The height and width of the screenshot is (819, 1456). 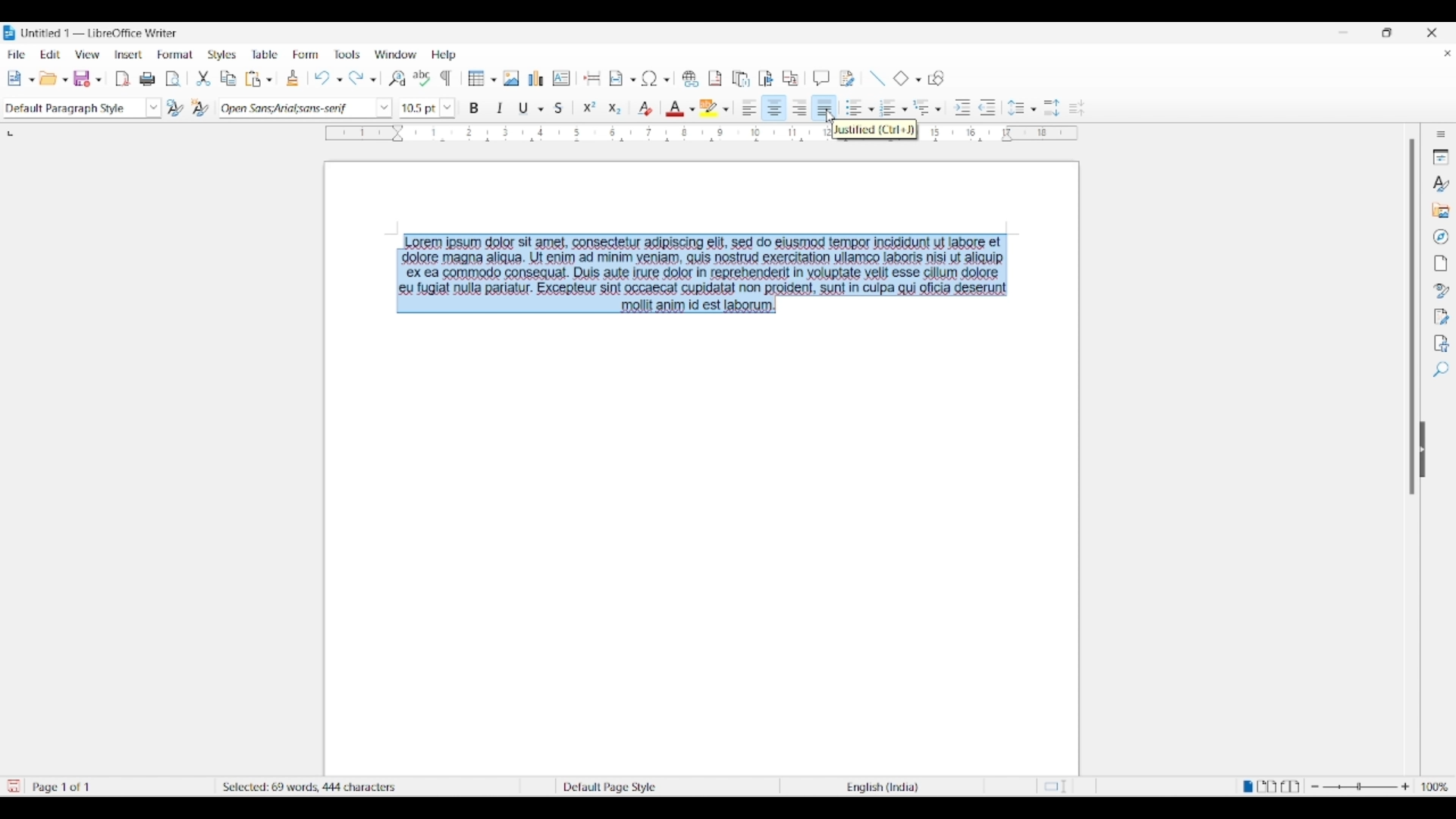 I want to click on Selected color for highlighting color, so click(x=709, y=107).